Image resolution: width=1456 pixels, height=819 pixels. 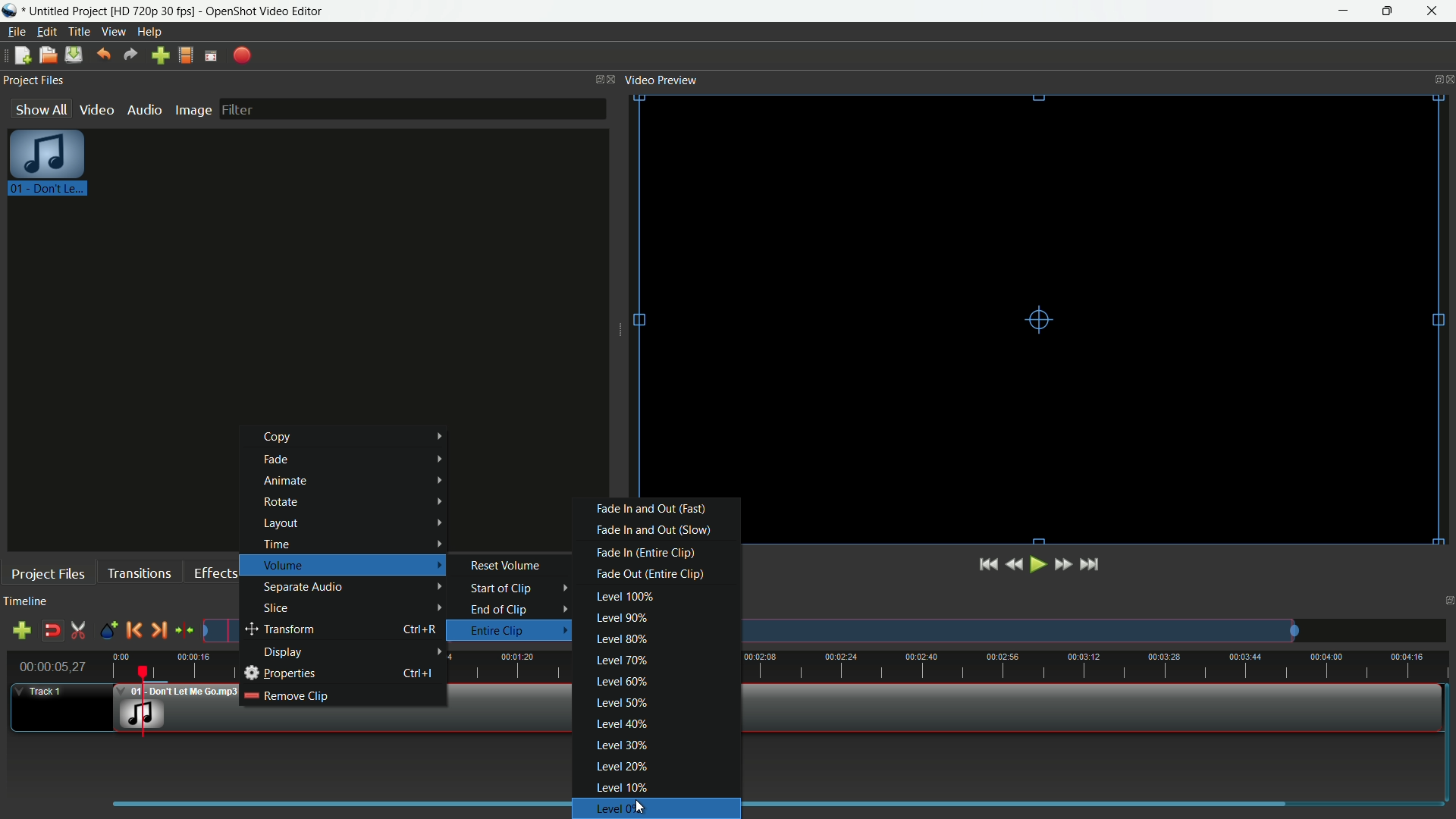 I want to click on fade, so click(x=359, y=460).